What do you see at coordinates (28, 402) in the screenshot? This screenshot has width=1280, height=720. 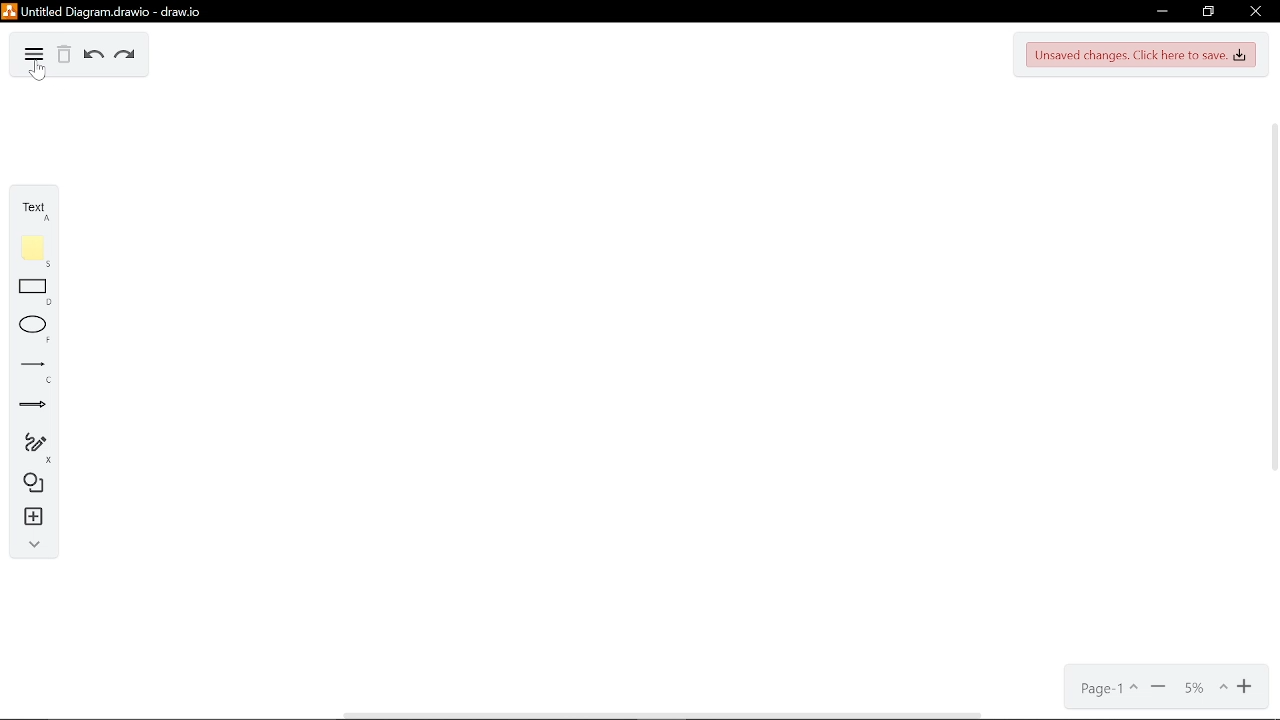 I see `Arrow` at bounding box center [28, 402].